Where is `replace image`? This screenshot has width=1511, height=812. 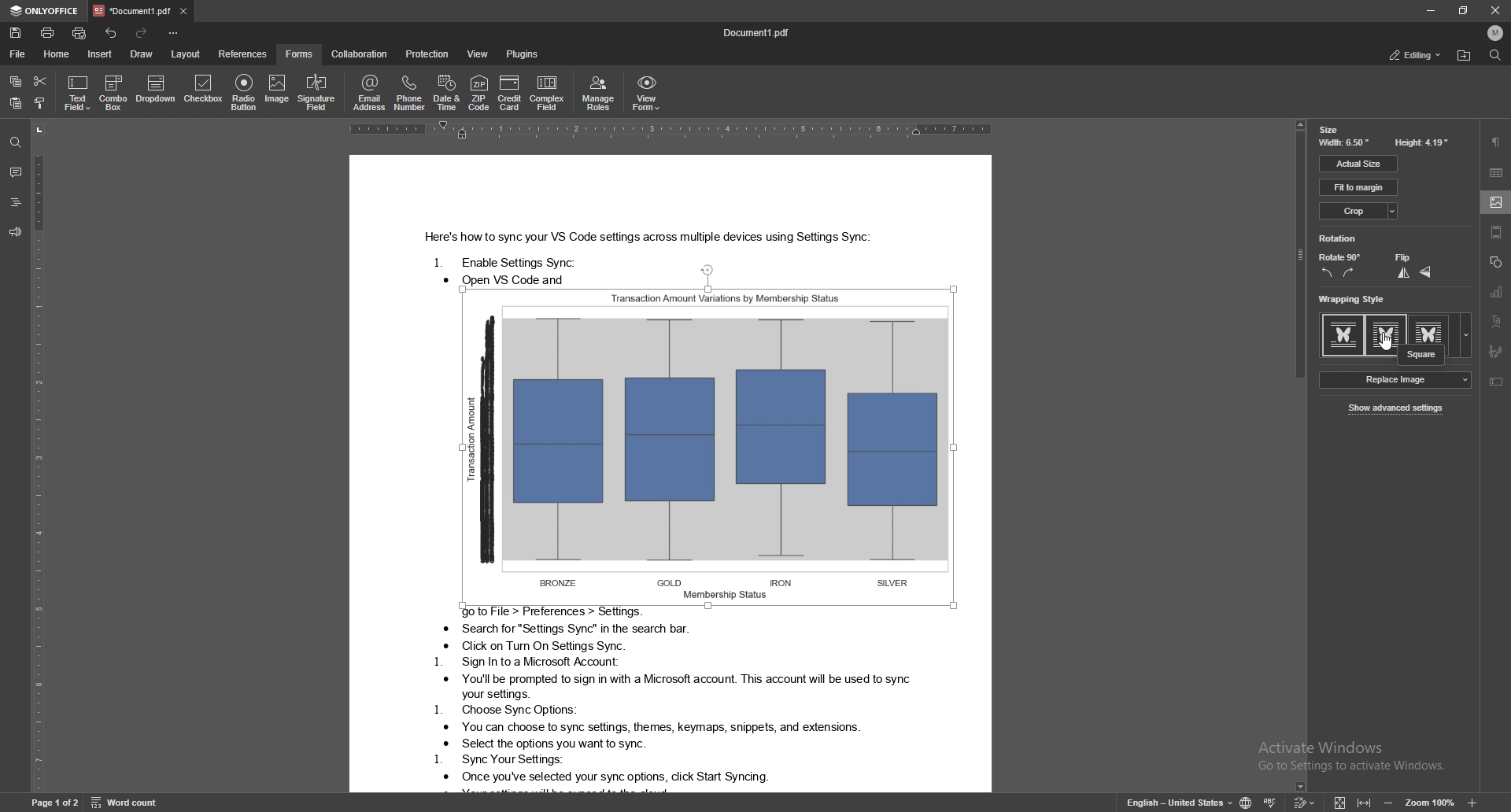
replace image is located at coordinates (1395, 379).